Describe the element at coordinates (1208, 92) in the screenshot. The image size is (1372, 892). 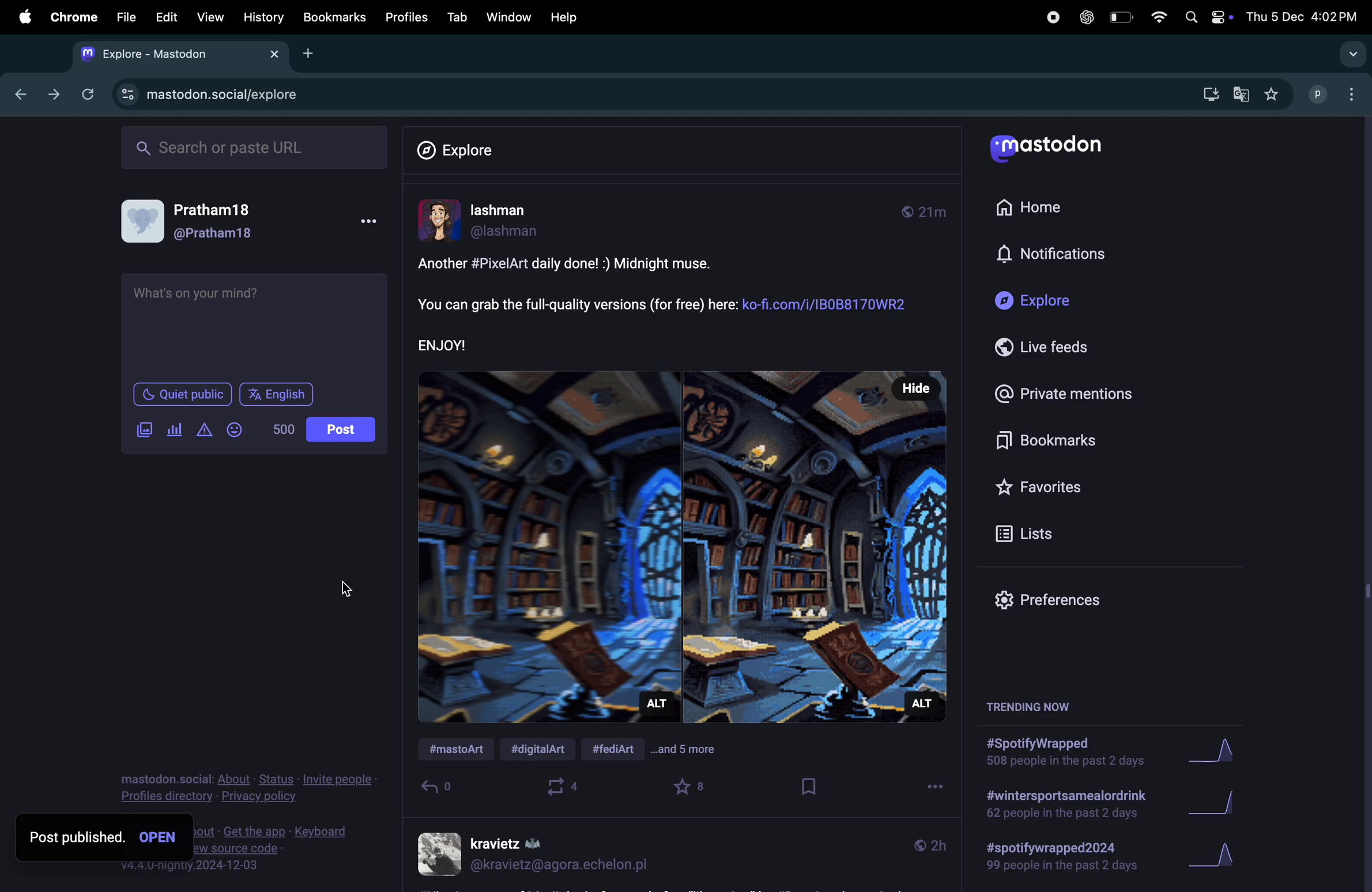
I see `download mastdon` at that location.